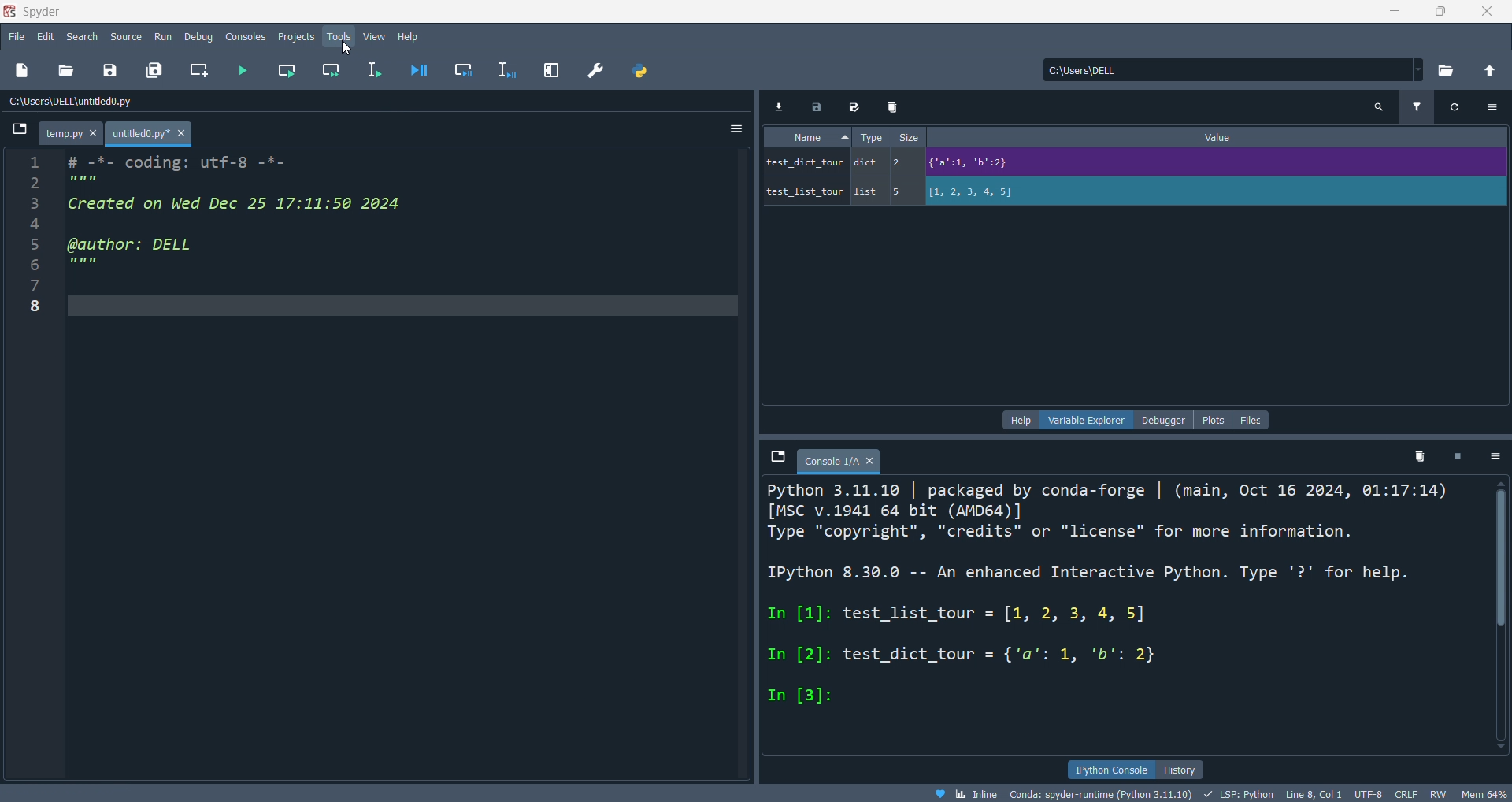 The width and height of the screenshot is (1512, 802). Describe the element at coordinates (1252, 419) in the screenshot. I see `files` at that location.